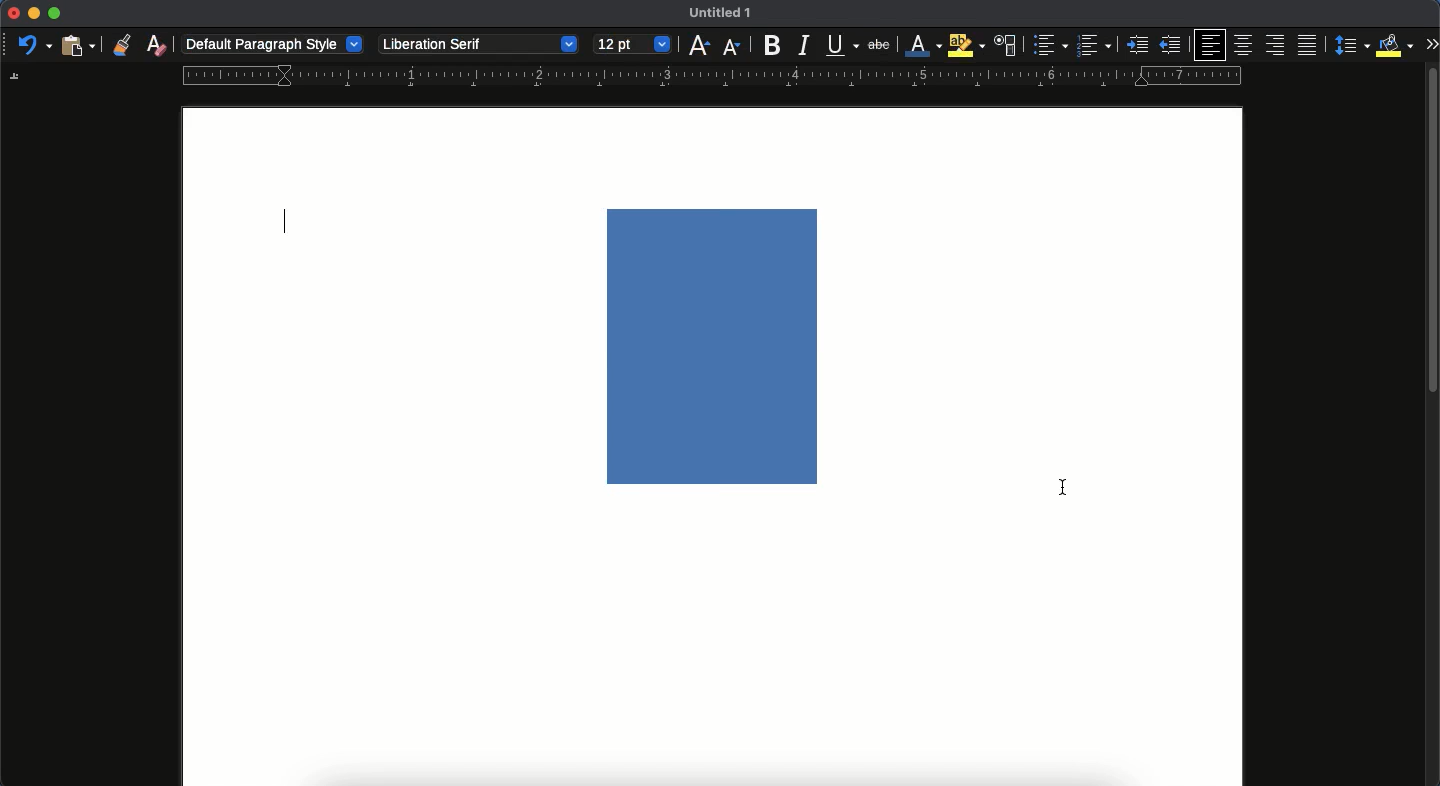  What do you see at coordinates (1246, 44) in the screenshot?
I see `center aligned` at bounding box center [1246, 44].